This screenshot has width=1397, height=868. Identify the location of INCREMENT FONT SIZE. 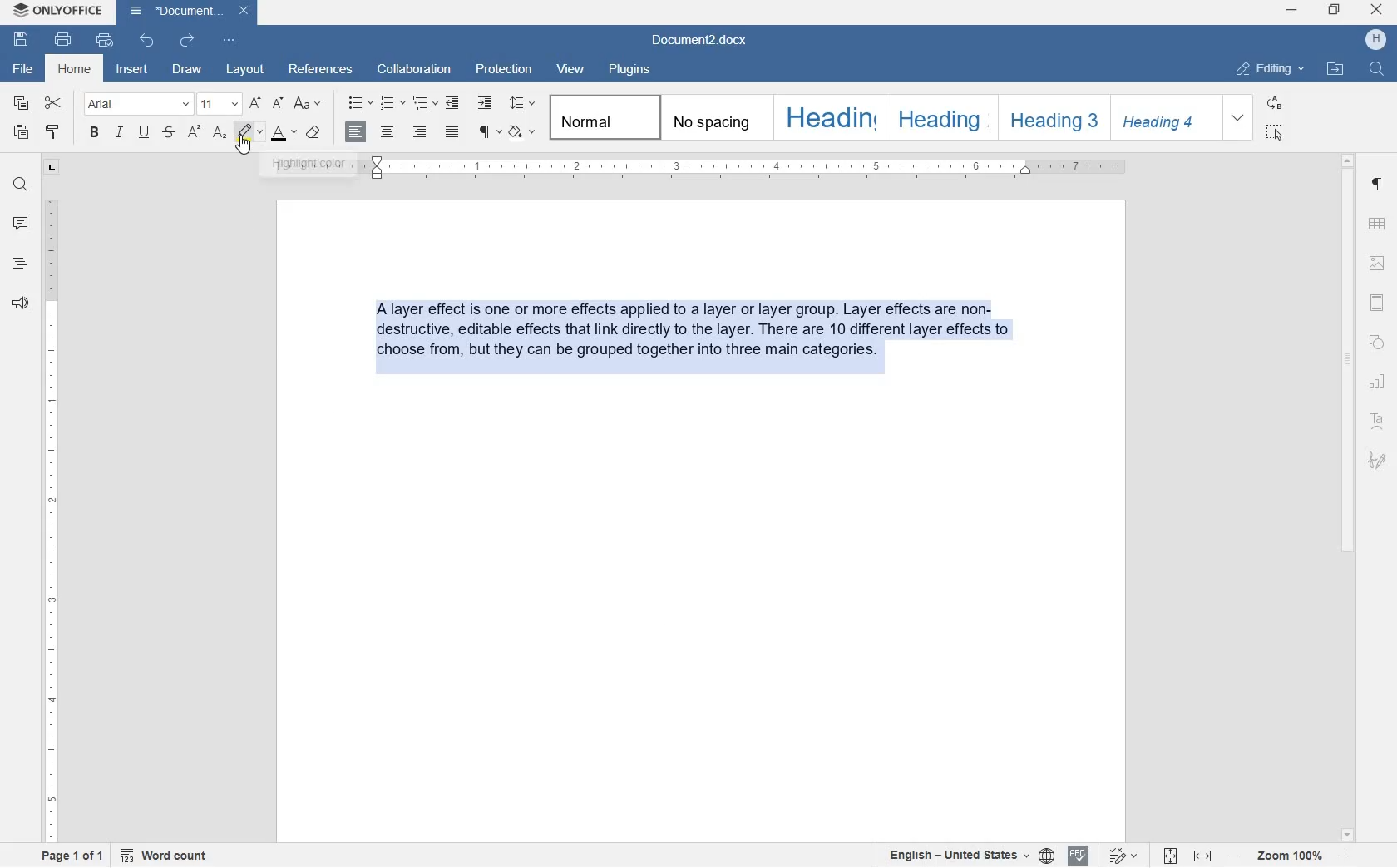
(254, 104).